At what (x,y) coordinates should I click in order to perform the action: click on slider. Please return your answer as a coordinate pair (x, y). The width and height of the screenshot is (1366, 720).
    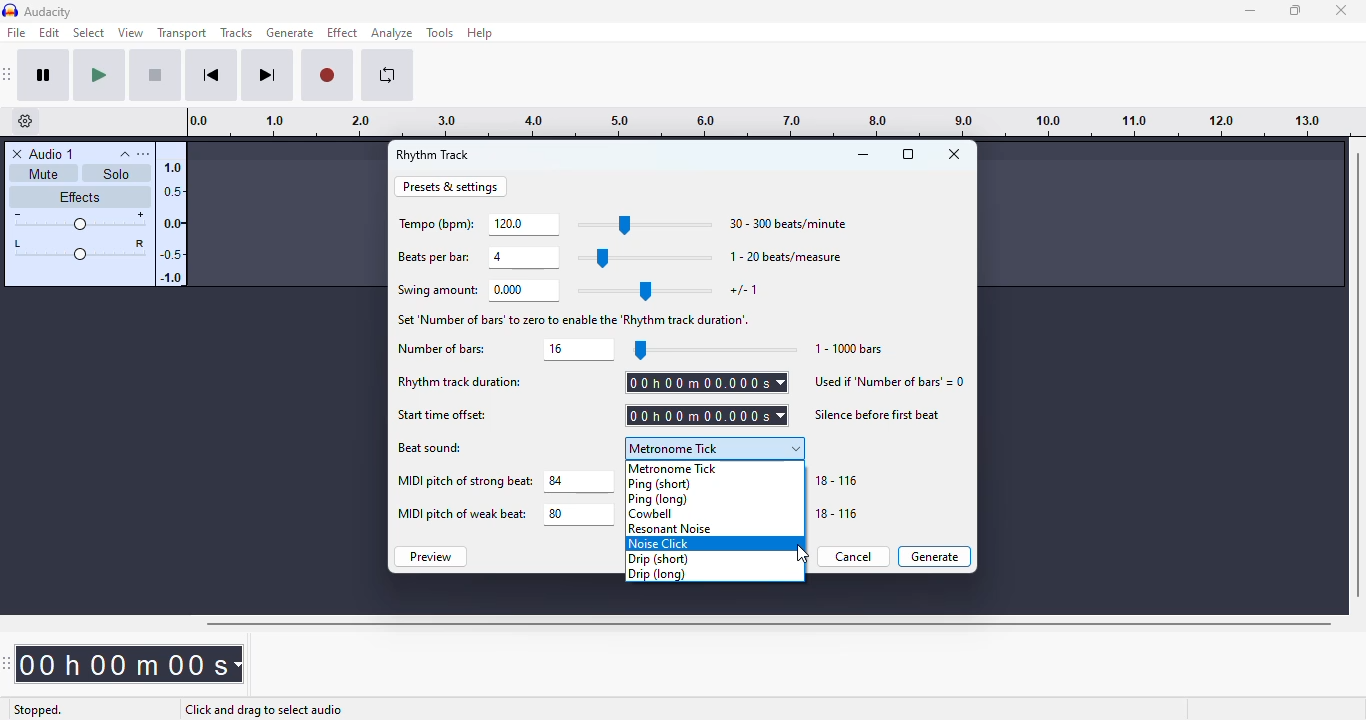
    Looking at the image, I should click on (645, 258).